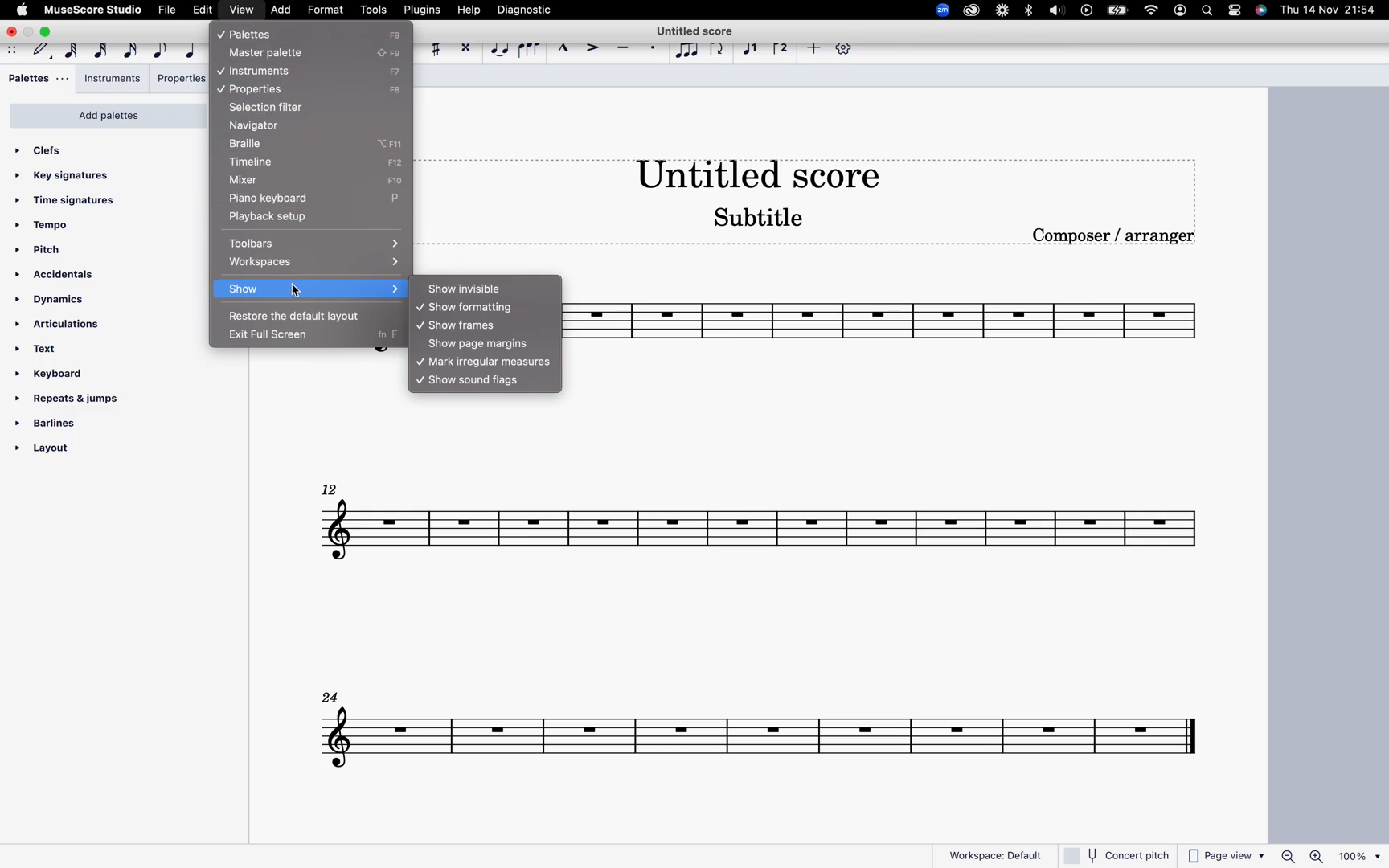 This screenshot has height=868, width=1389. What do you see at coordinates (1121, 12) in the screenshot?
I see `battery` at bounding box center [1121, 12].